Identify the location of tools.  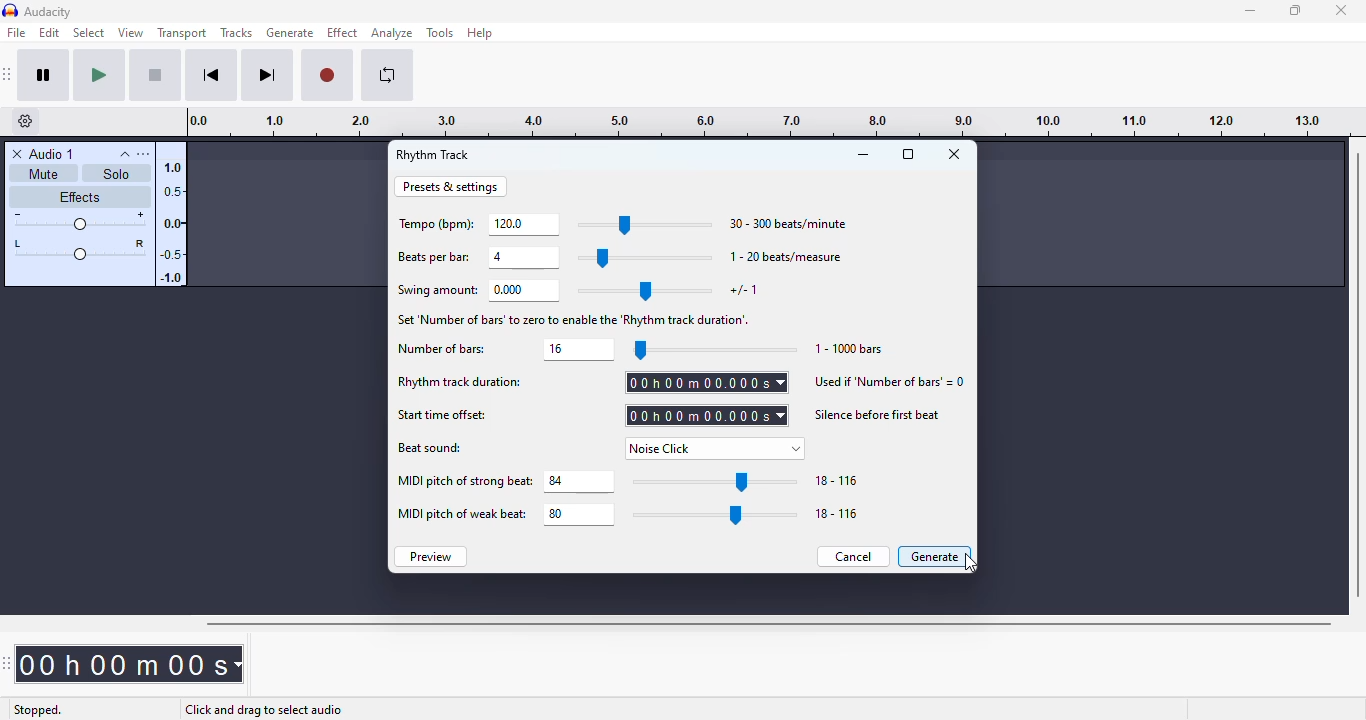
(439, 33).